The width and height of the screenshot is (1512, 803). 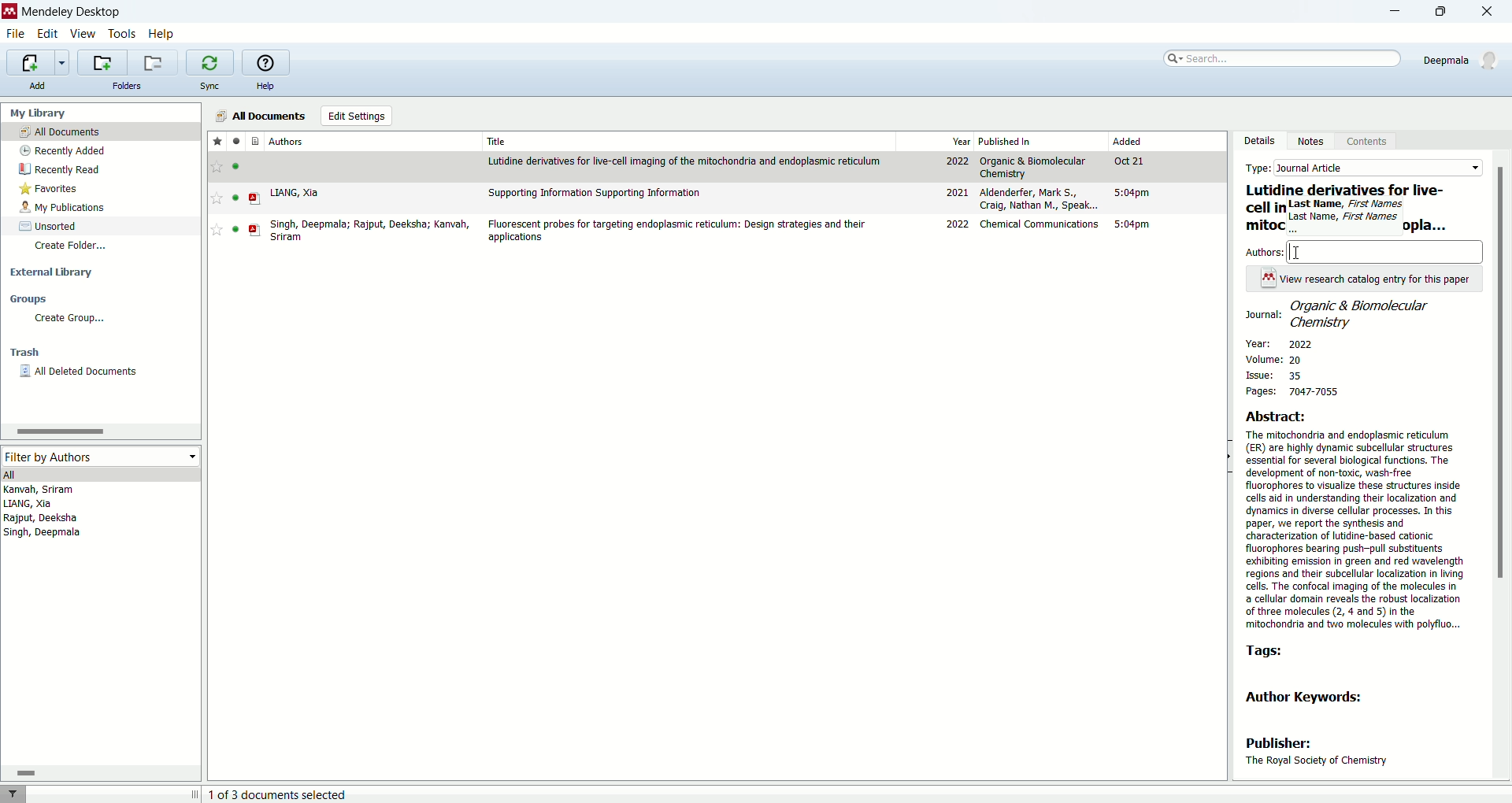 What do you see at coordinates (215, 230) in the screenshot?
I see `Favourite` at bounding box center [215, 230].